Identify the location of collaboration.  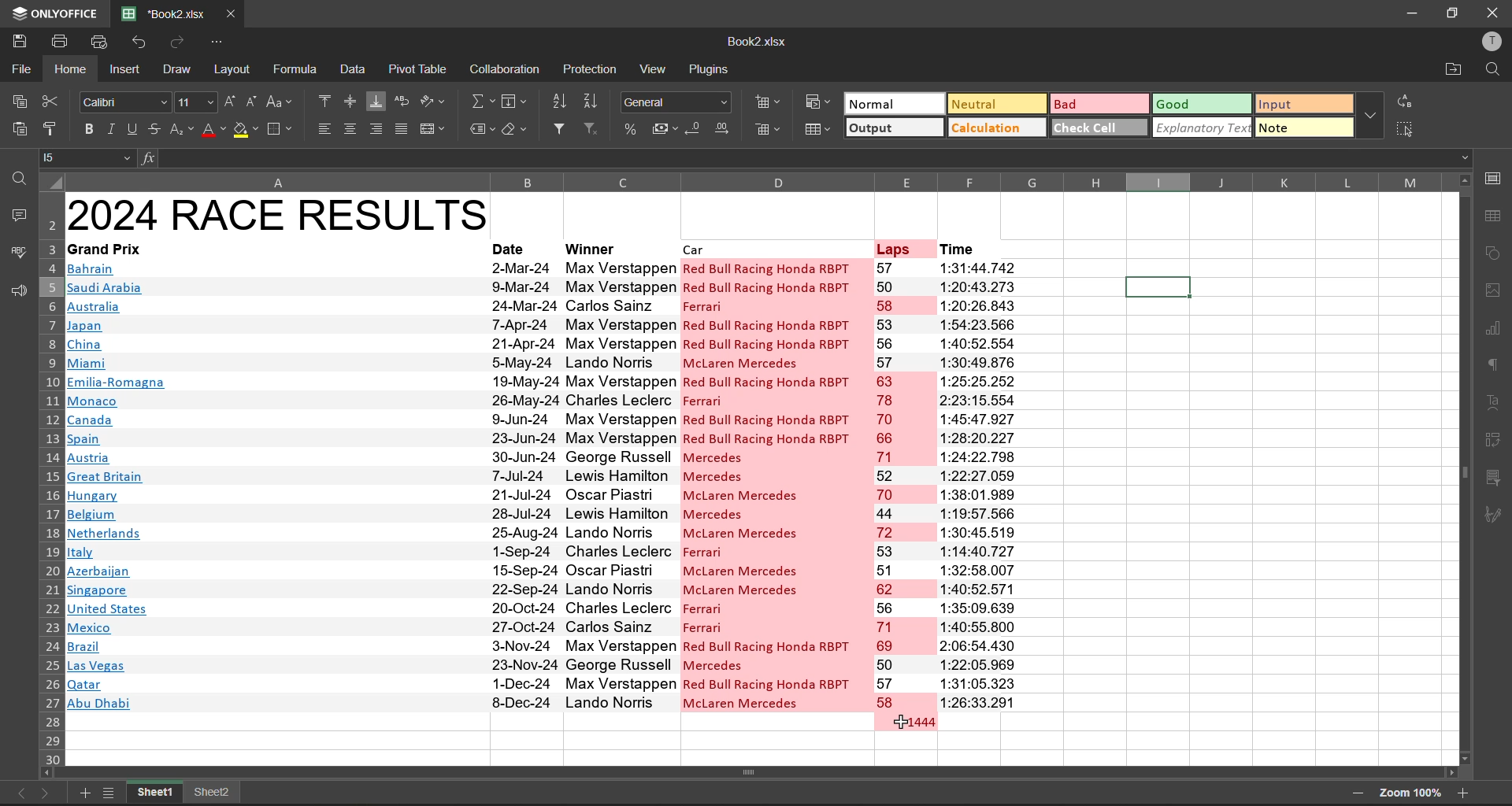
(507, 70).